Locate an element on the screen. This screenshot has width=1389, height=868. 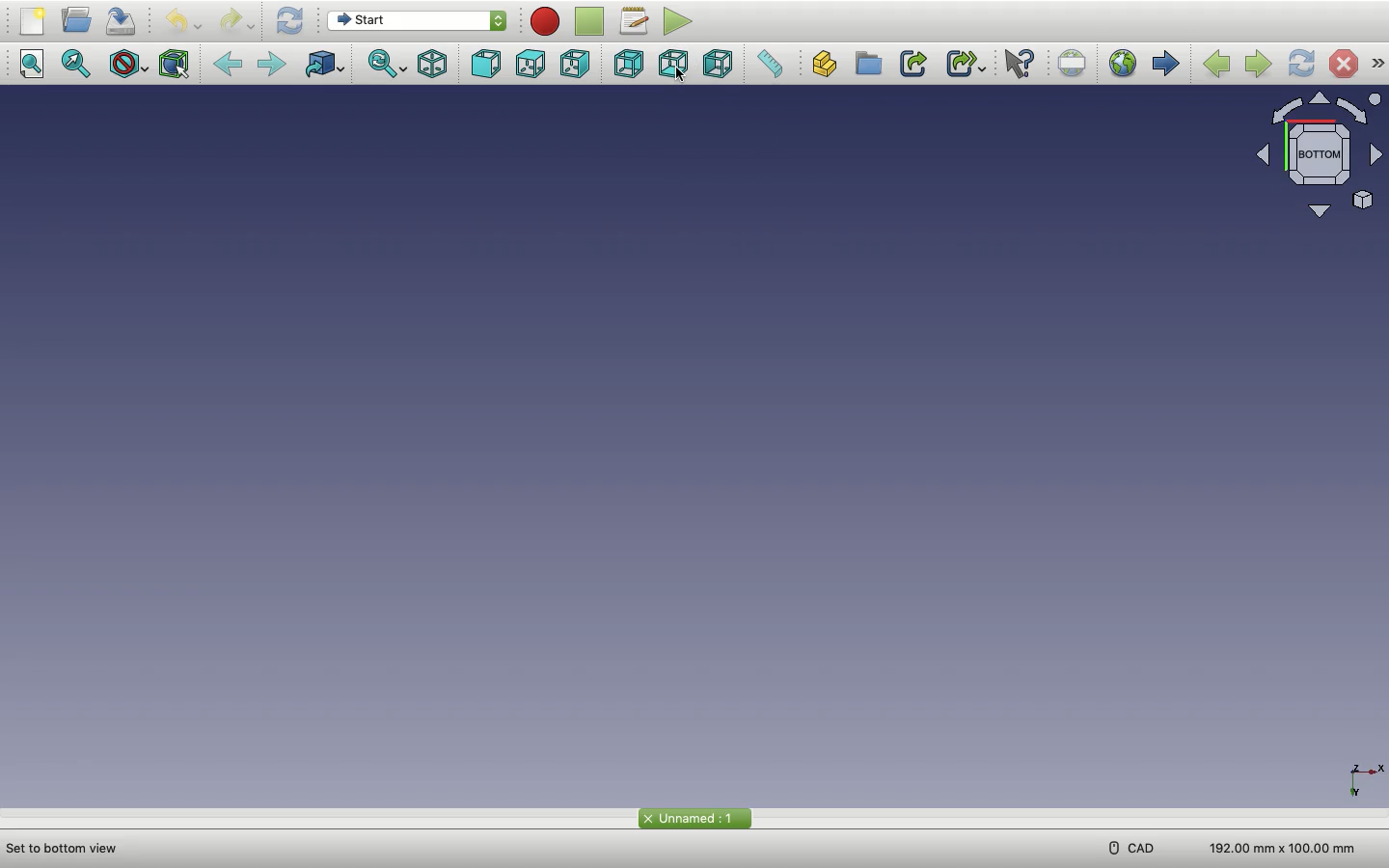
Sync view is located at coordinates (389, 67).